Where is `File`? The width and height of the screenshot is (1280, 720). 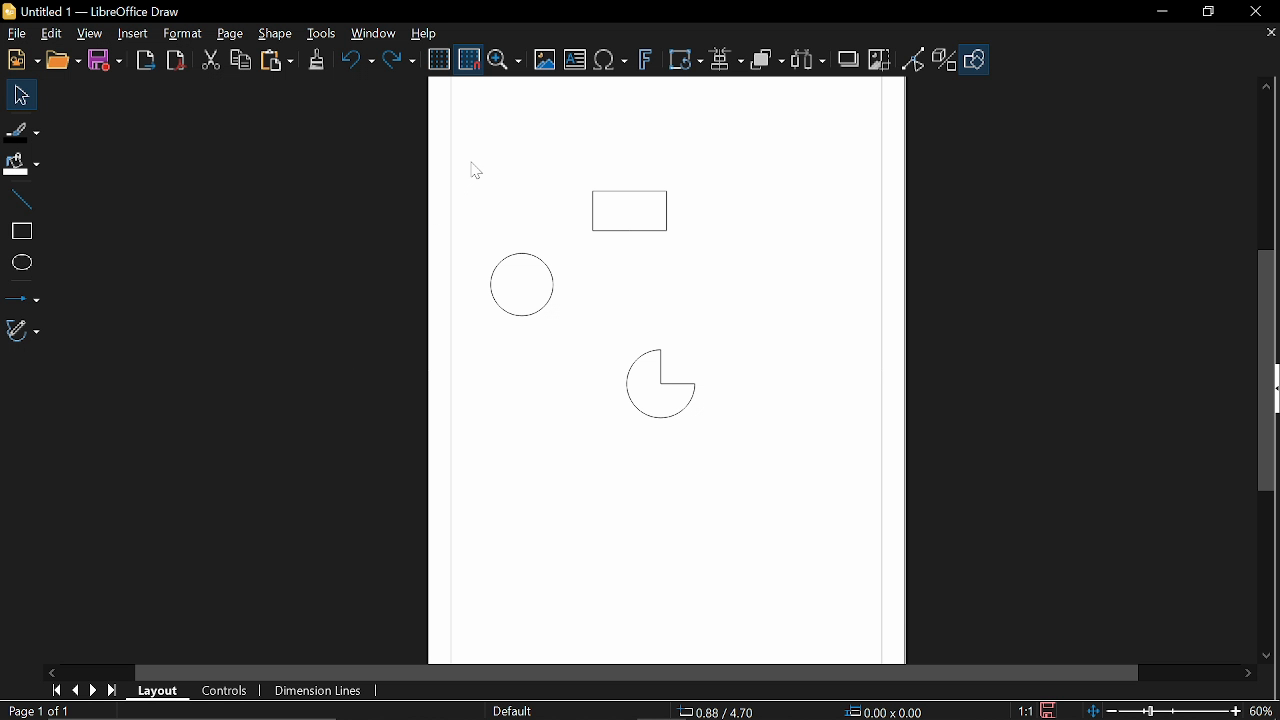
File is located at coordinates (17, 36).